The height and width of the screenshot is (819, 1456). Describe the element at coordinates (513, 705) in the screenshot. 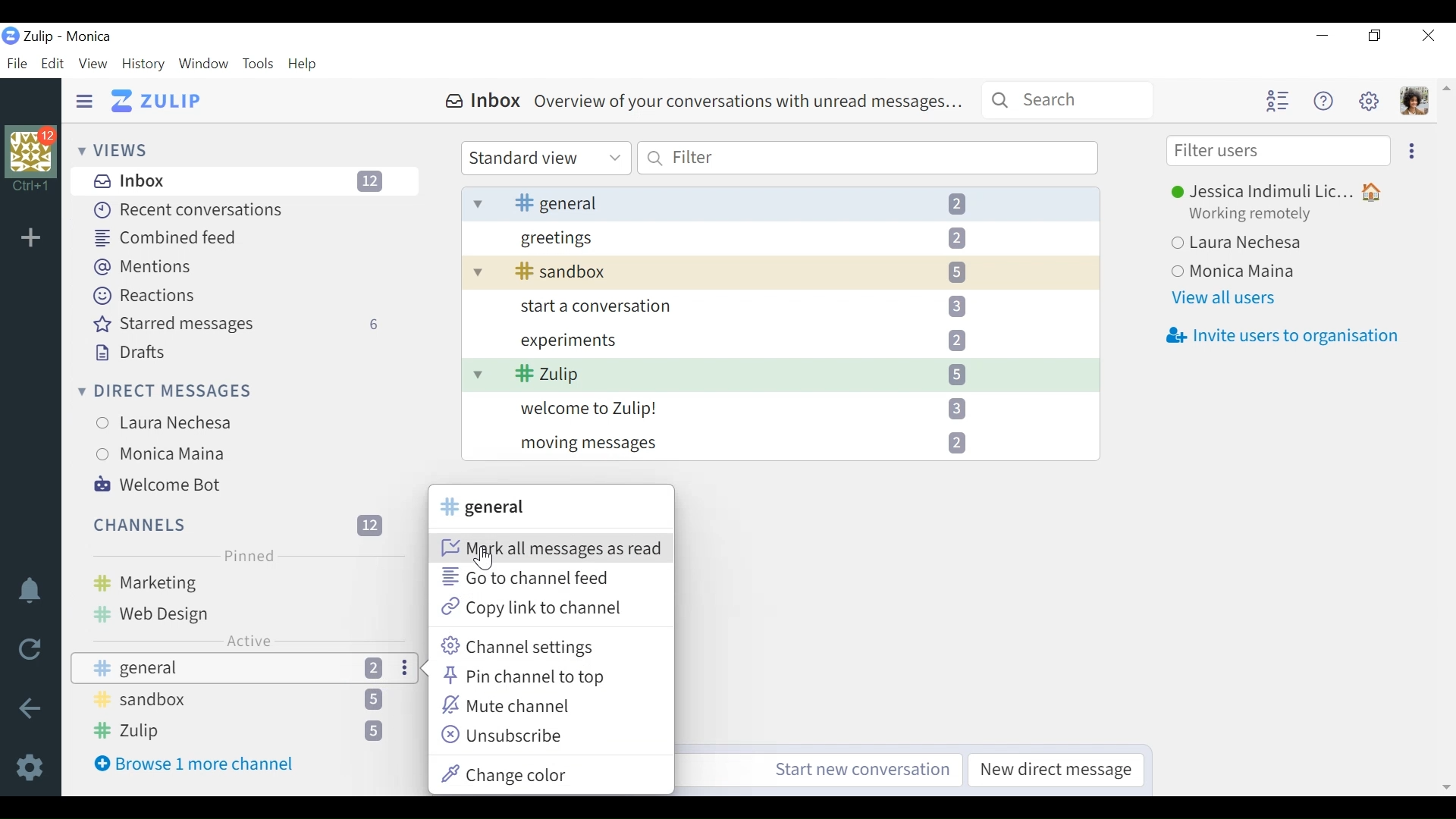

I see `Mute channel` at that location.